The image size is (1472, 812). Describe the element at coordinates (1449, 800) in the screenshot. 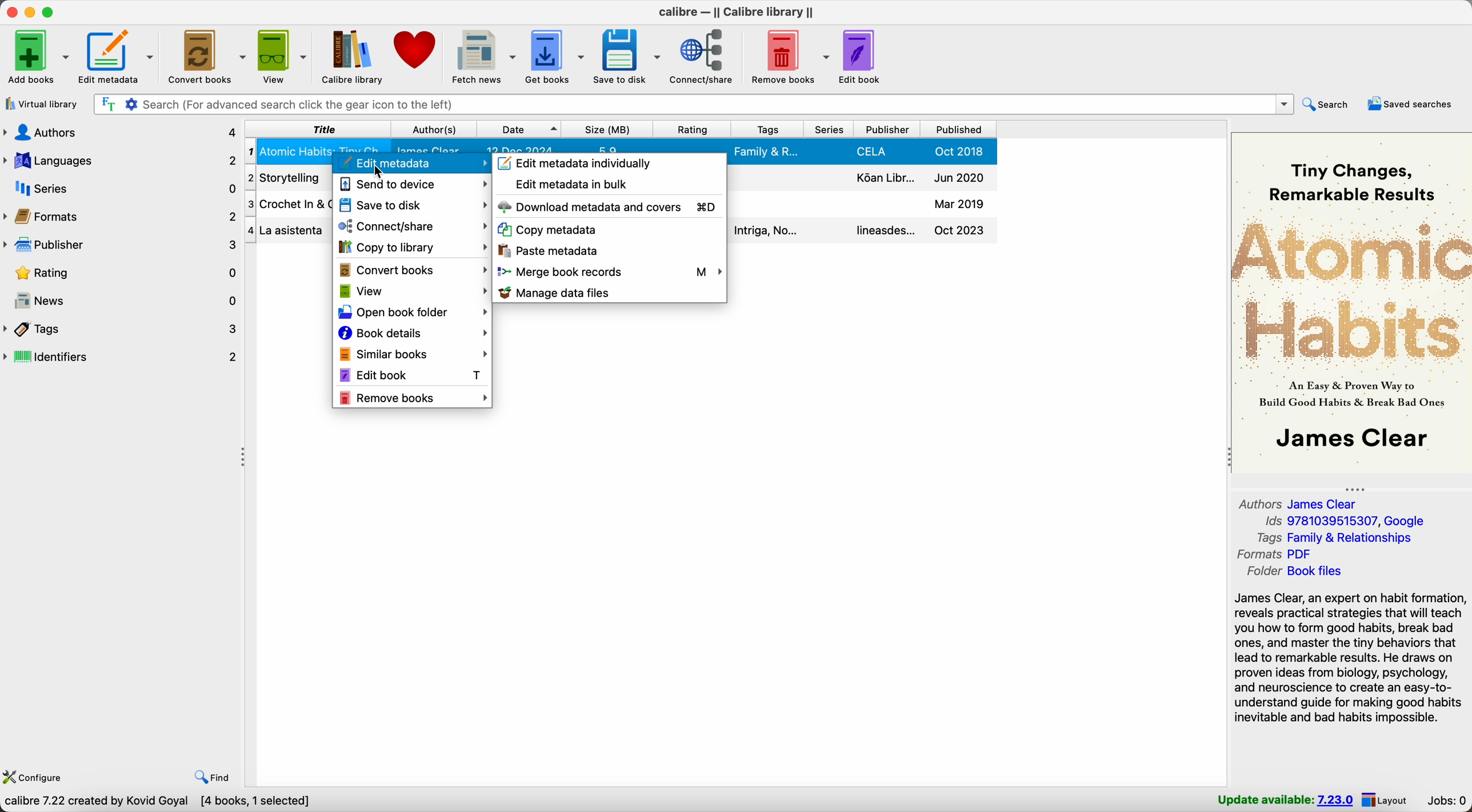

I see `Jobs: 0` at that location.